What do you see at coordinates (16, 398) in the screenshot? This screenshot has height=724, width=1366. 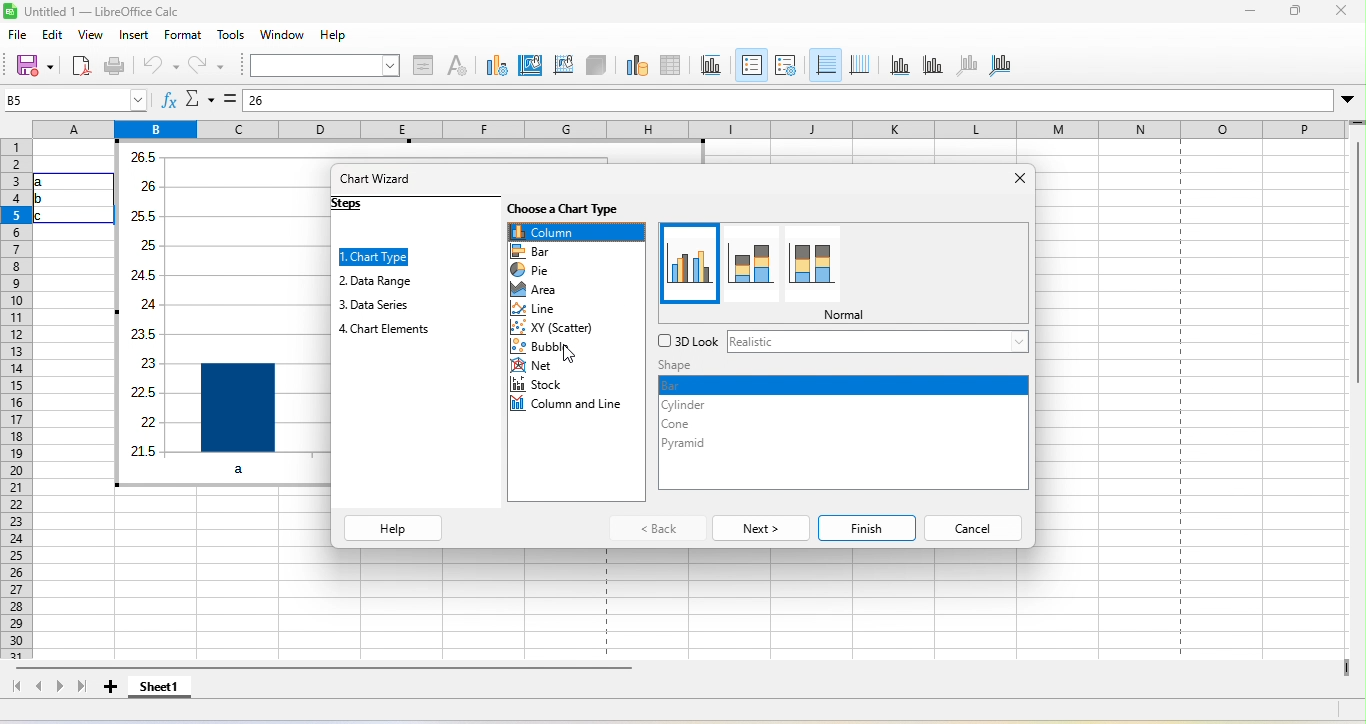 I see `row` at bounding box center [16, 398].